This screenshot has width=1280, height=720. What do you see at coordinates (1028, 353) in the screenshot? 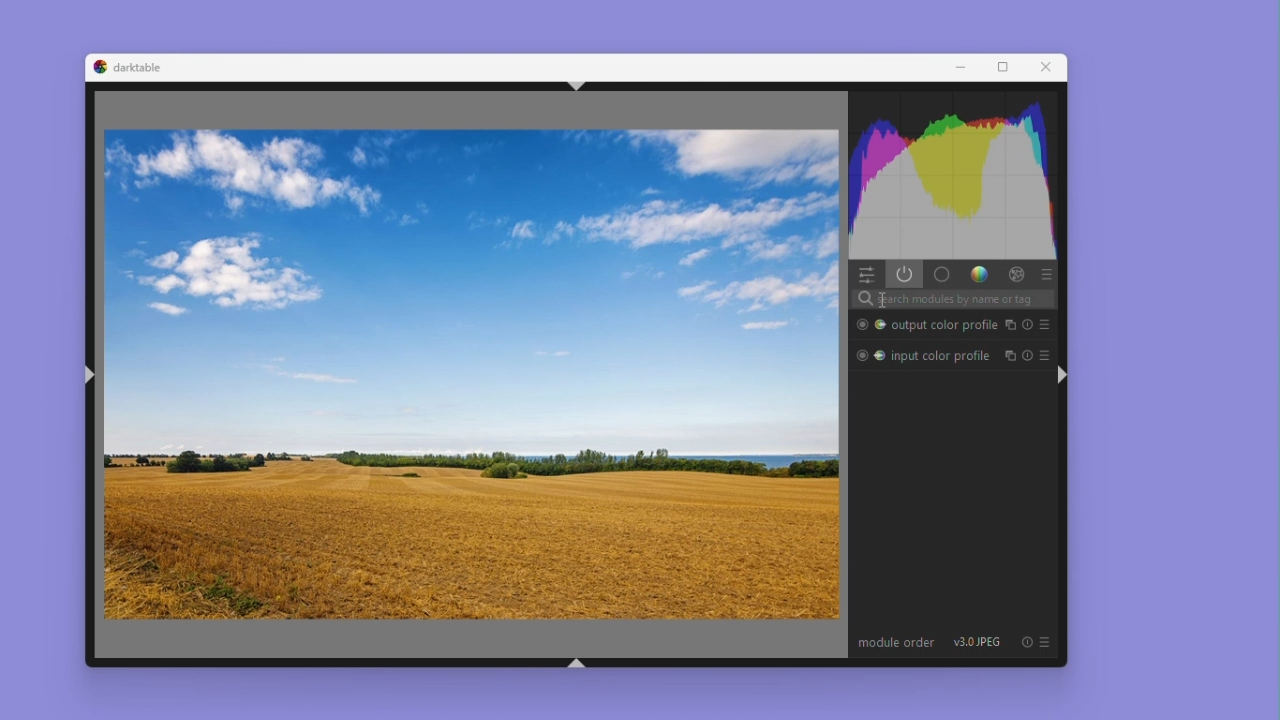
I see `Reset` at bounding box center [1028, 353].